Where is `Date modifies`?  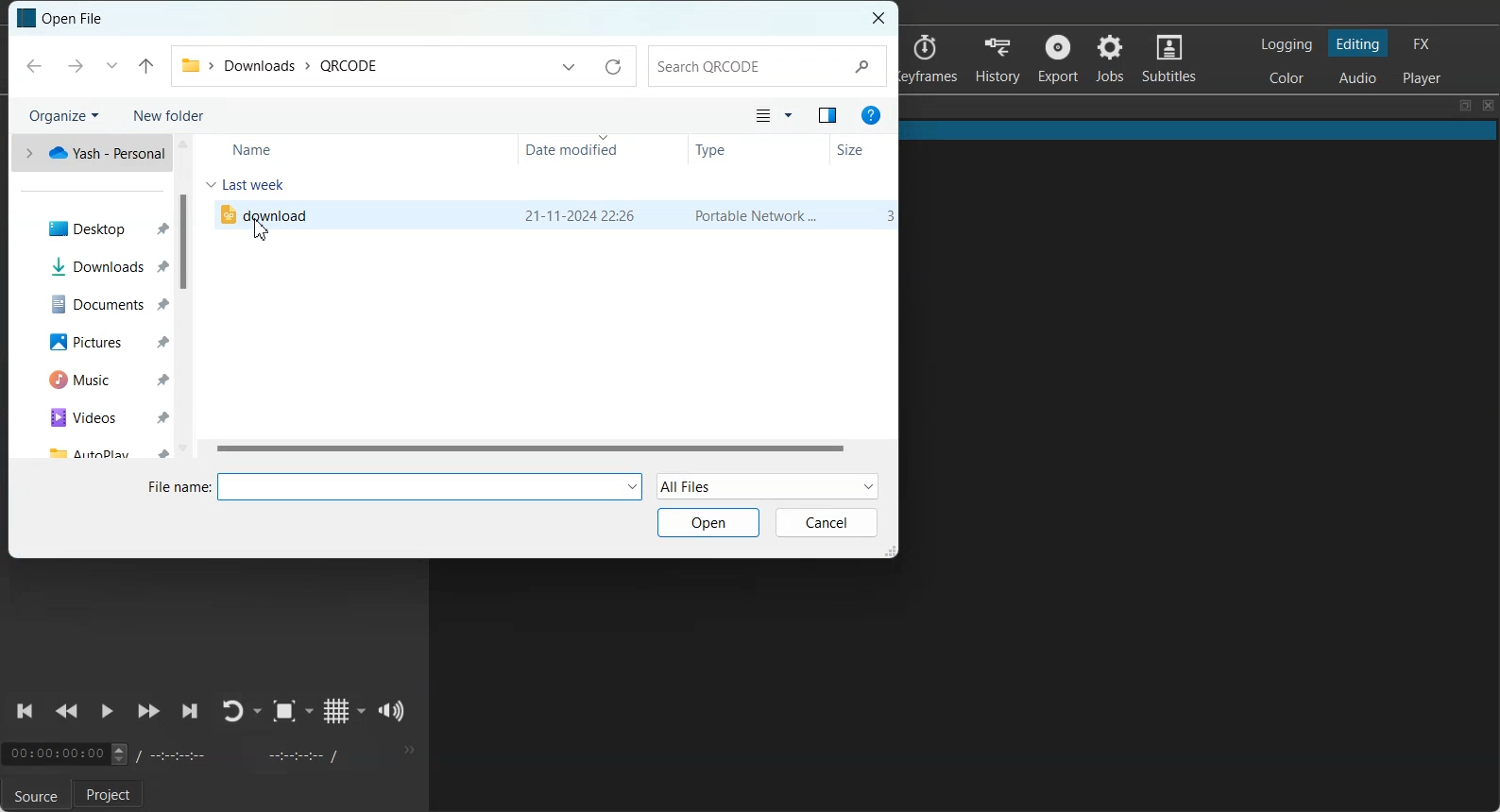 Date modifies is located at coordinates (580, 148).